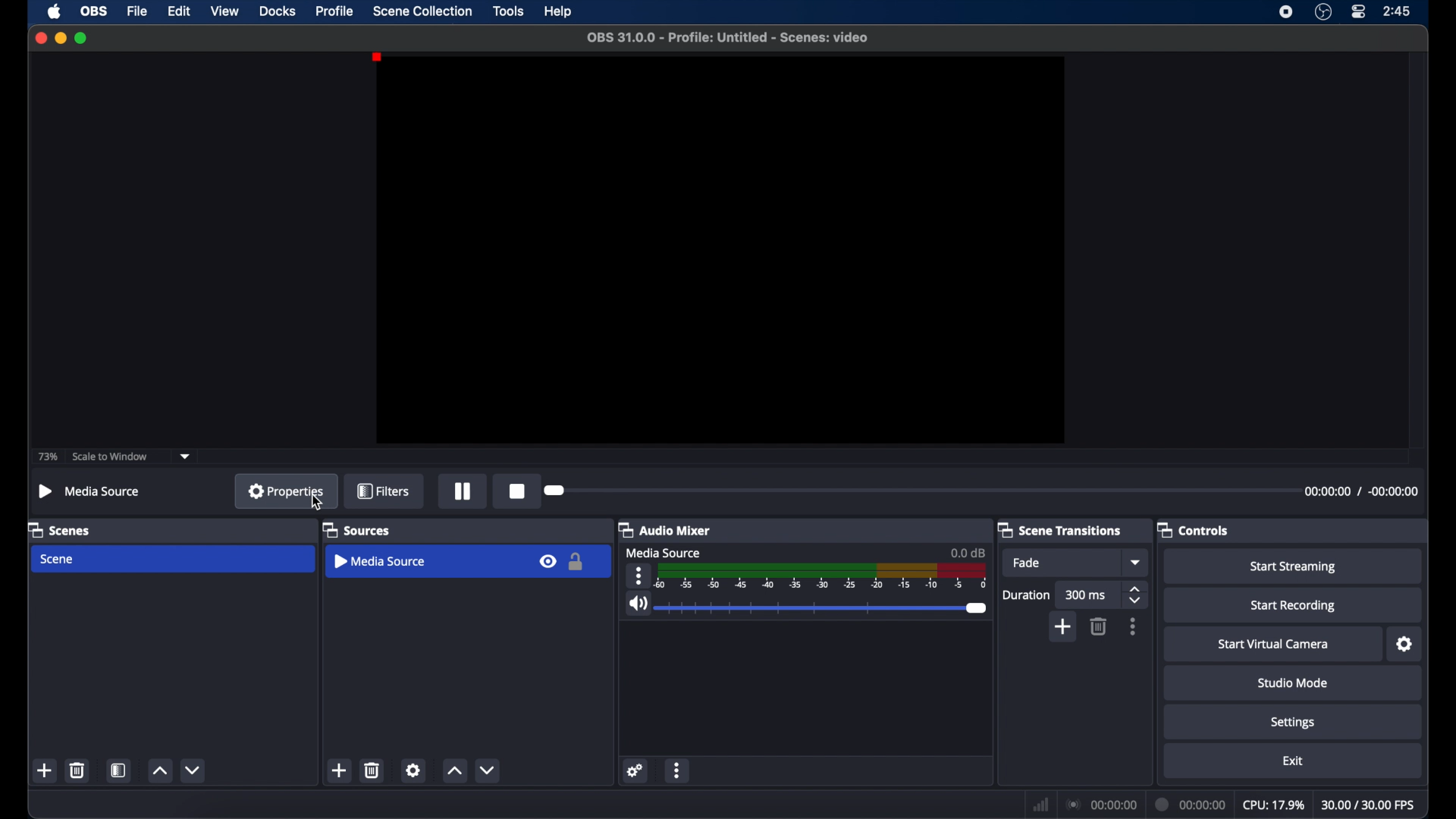  Describe the element at coordinates (186, 455) in the screenshot. I see `dropdown` at that location.